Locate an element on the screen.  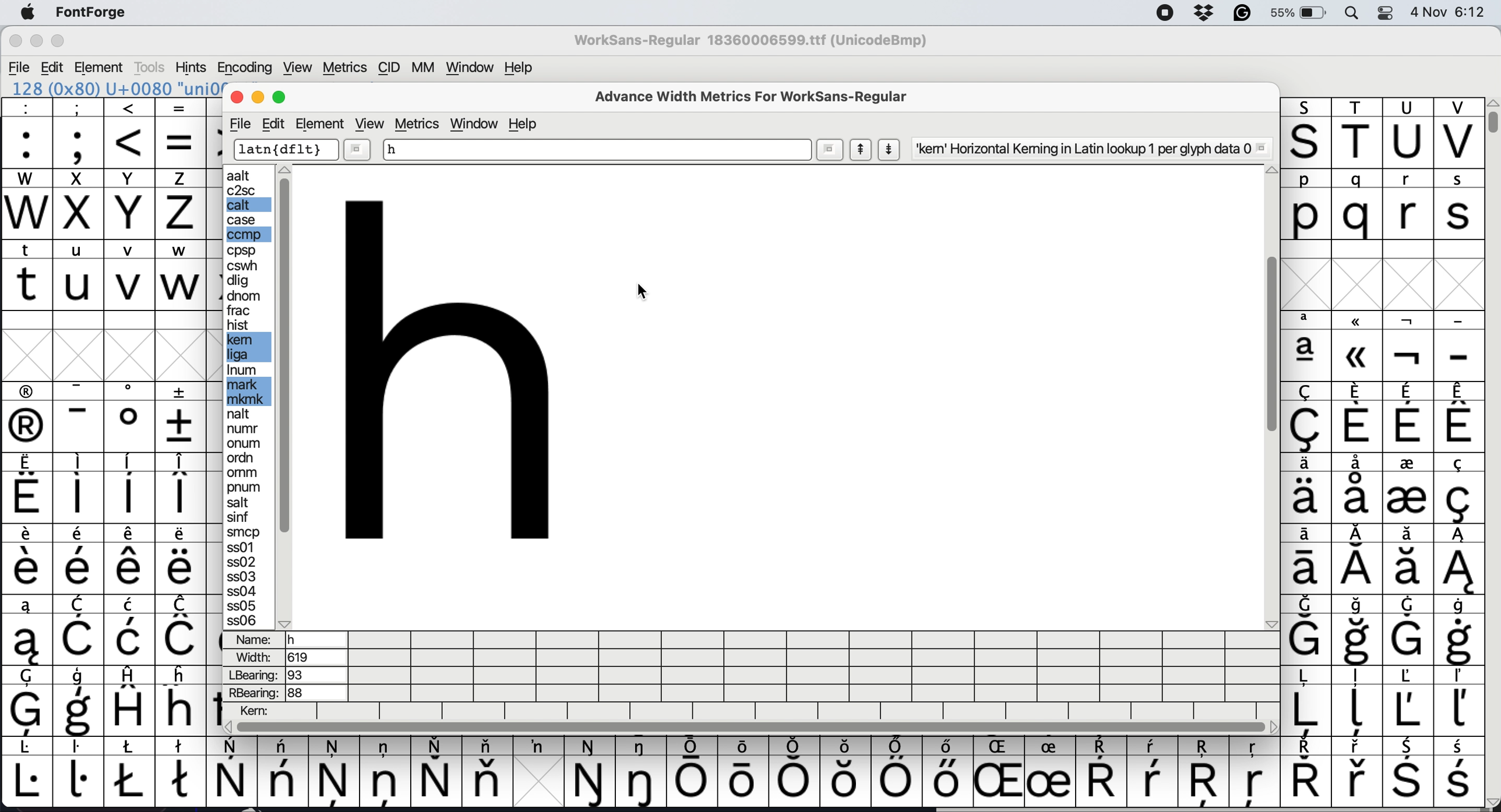
special characters is located at coordinates (103, 607).